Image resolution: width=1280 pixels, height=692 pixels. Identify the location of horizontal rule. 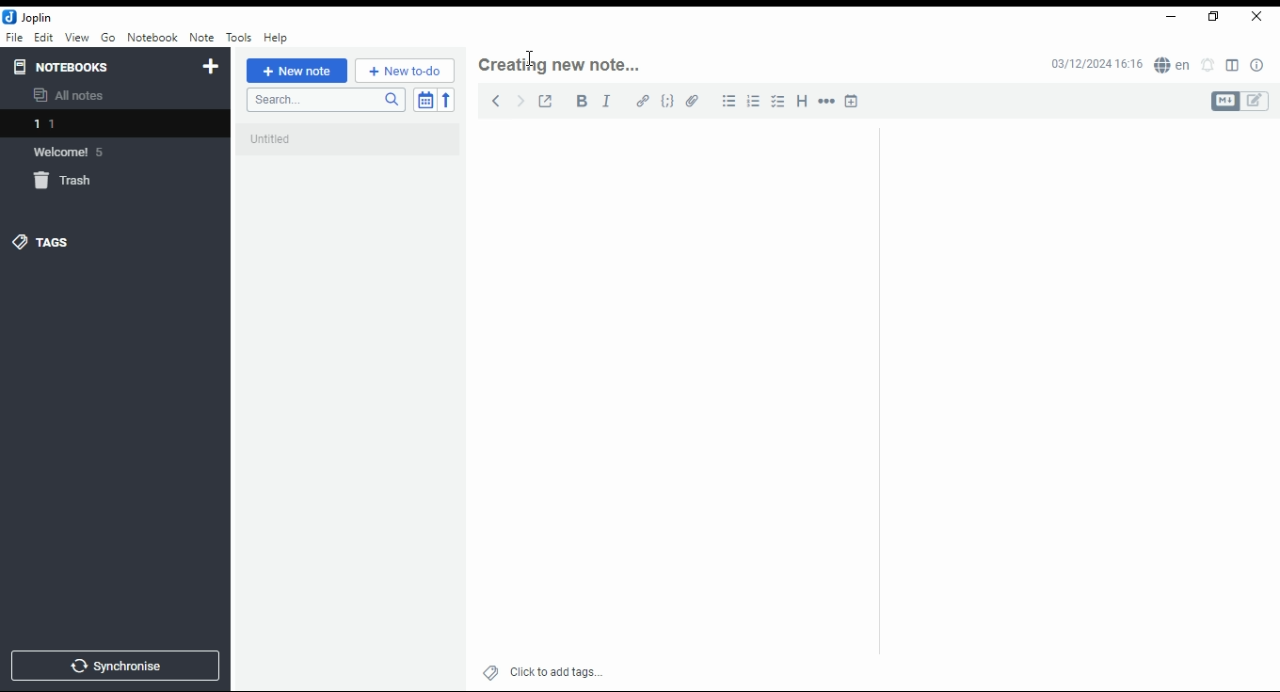
(828, 100).